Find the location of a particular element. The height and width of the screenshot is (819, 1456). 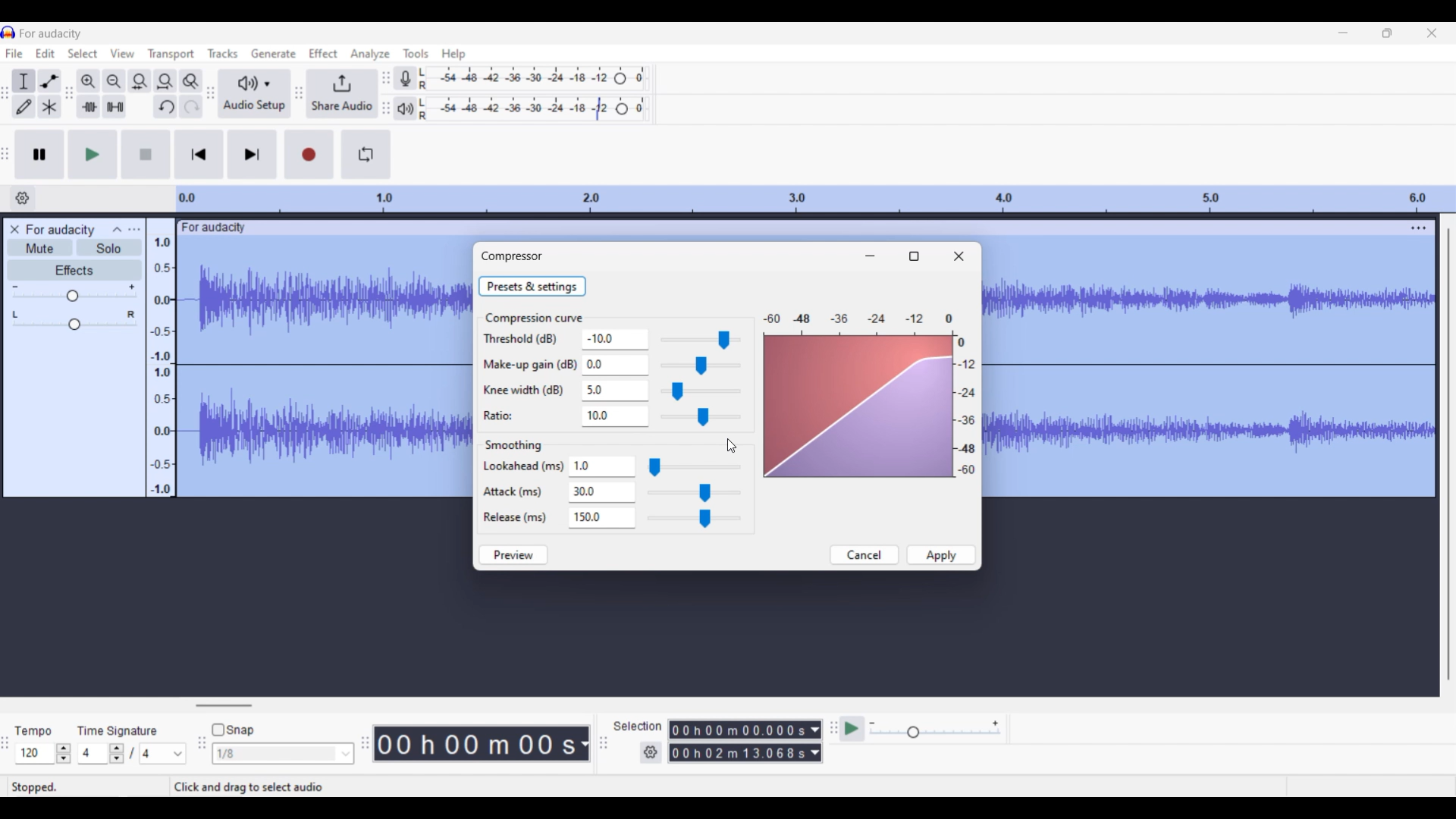

Time signature is located at coordinates (119, 730).